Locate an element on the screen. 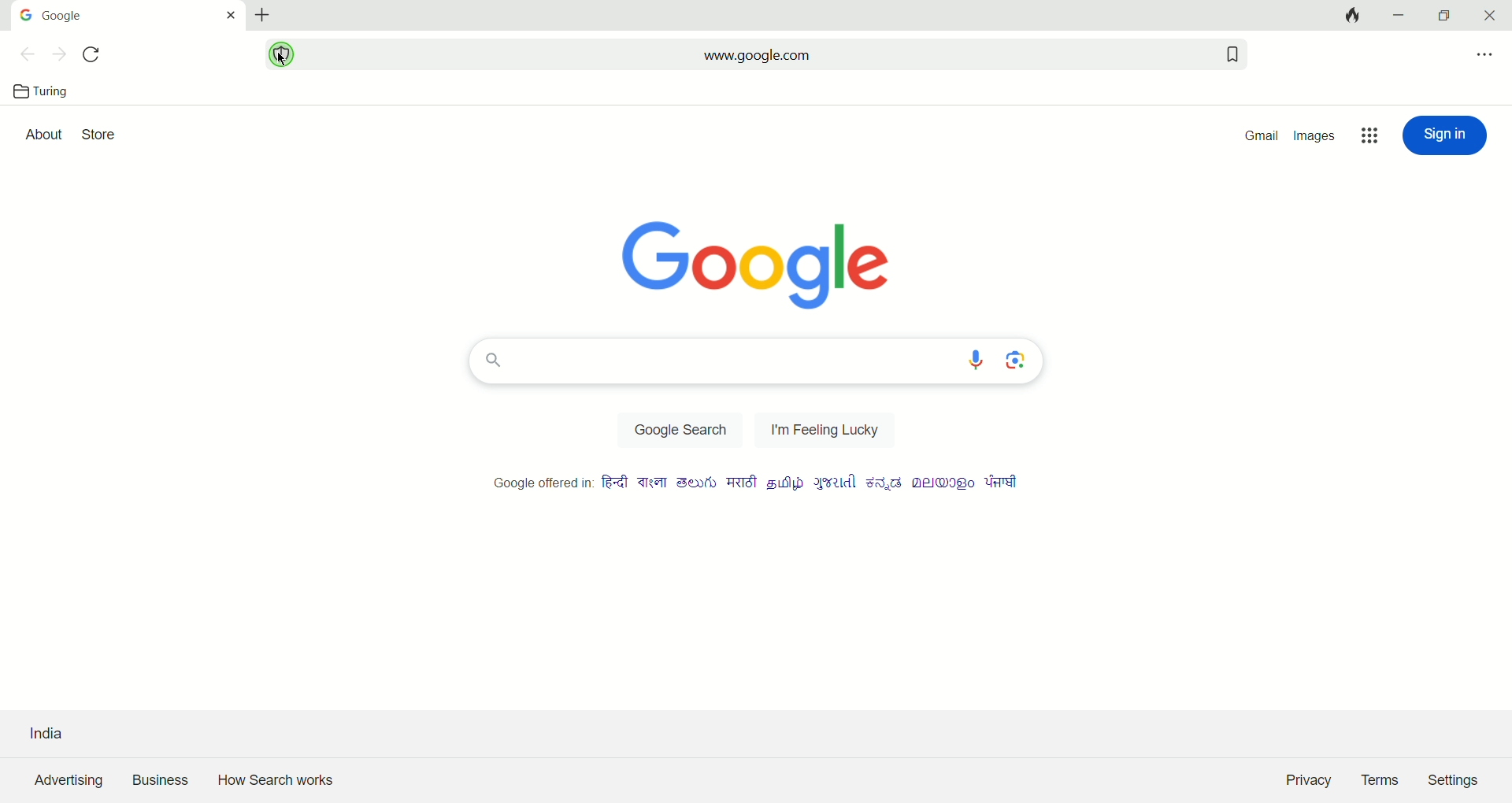  new tab is located at coordinates (262, 13).